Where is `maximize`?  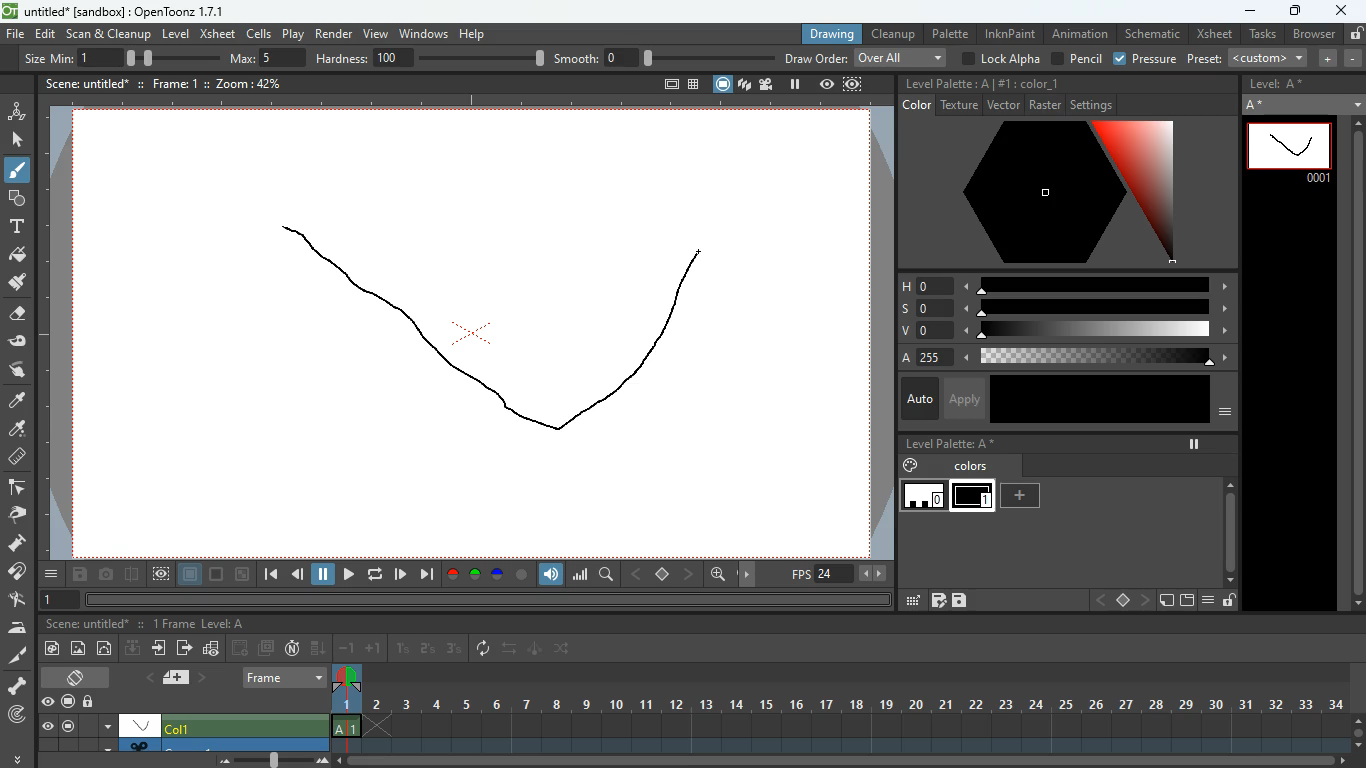
maximize is located at coordinates (1293, 13).